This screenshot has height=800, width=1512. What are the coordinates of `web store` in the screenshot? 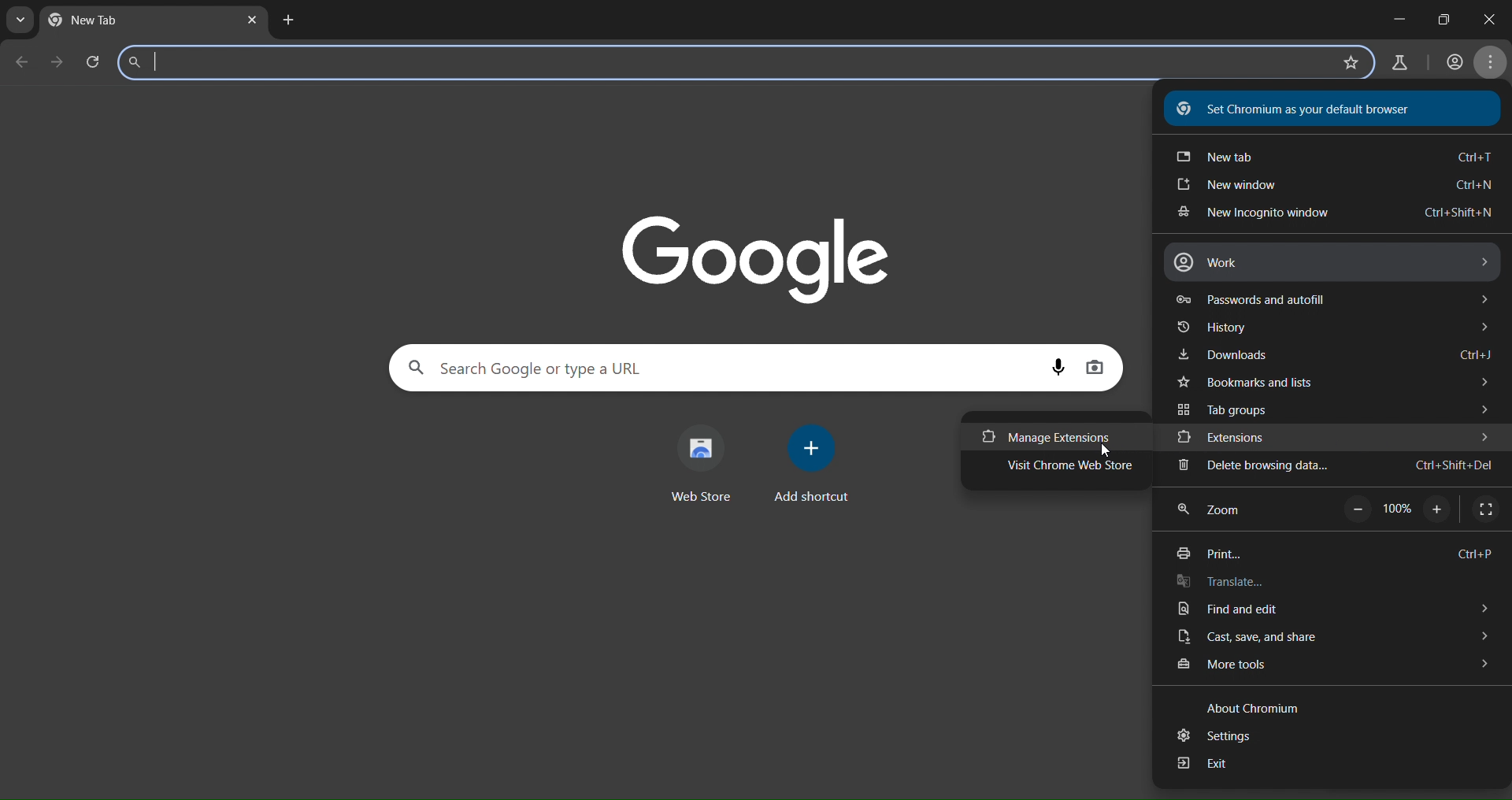 It's located at (701, 461).